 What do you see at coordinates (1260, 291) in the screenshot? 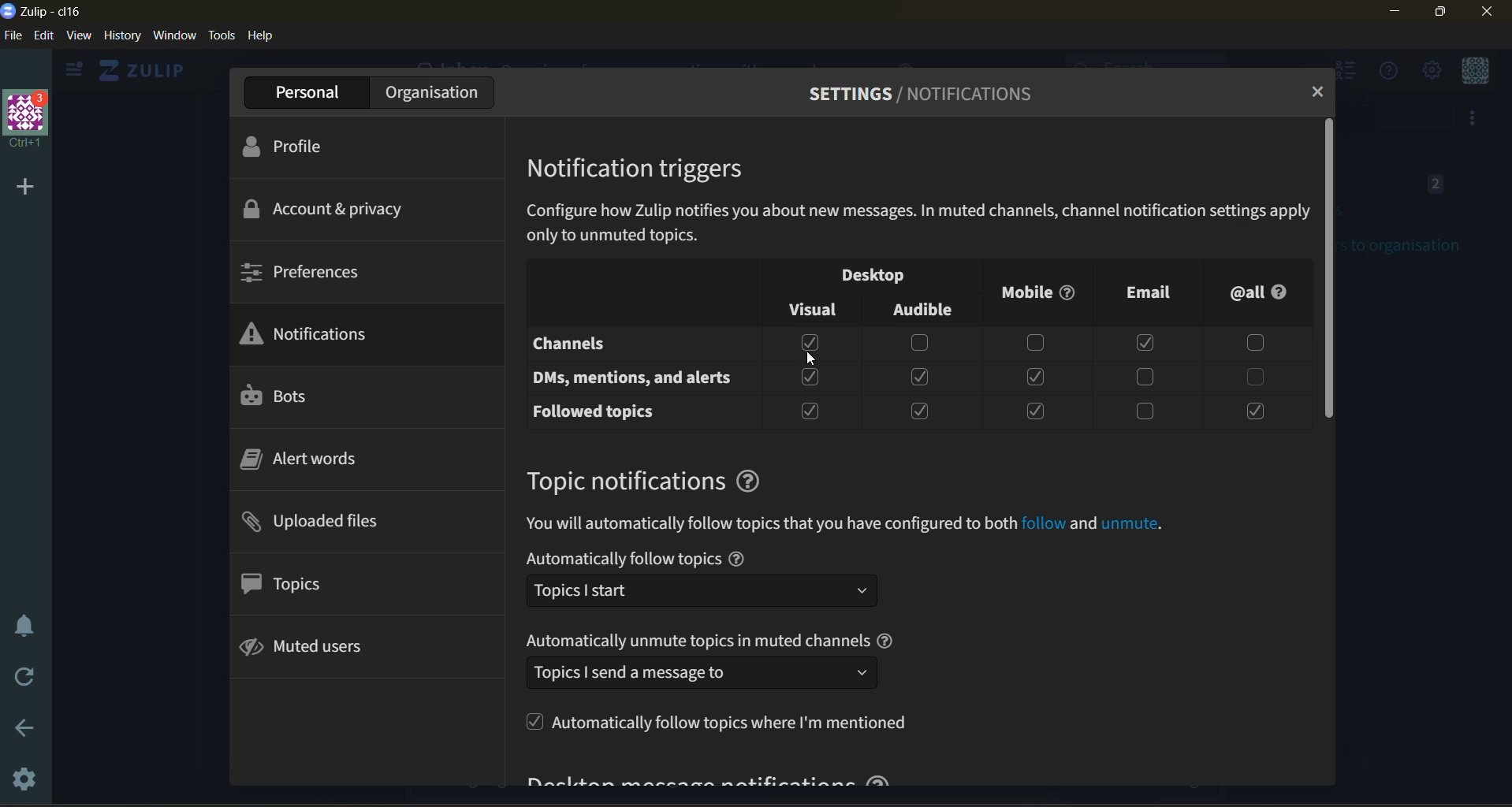
I see `all` at bounding box center [1260, 291].